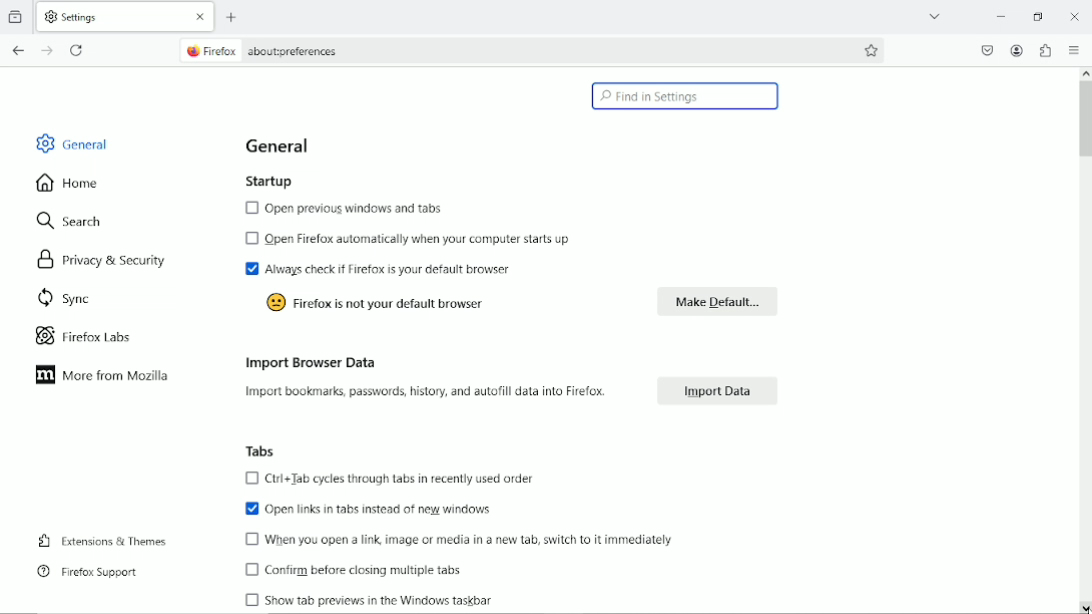  Describe the element at coordinates (872, 51) in the screenshot. I see `Bookmark this page` at that location.